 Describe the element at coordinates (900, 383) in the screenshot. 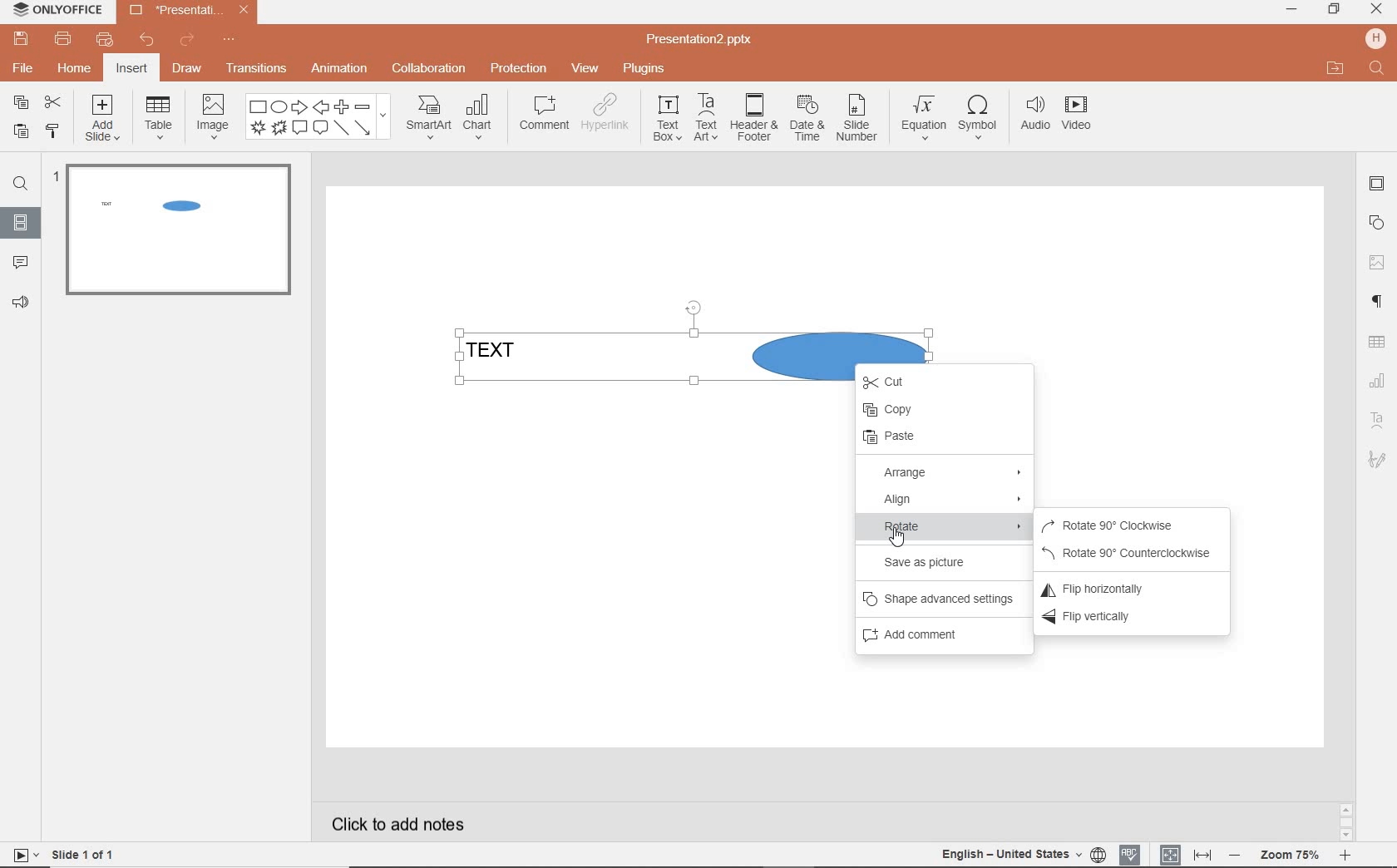

I see `cut` at that location.